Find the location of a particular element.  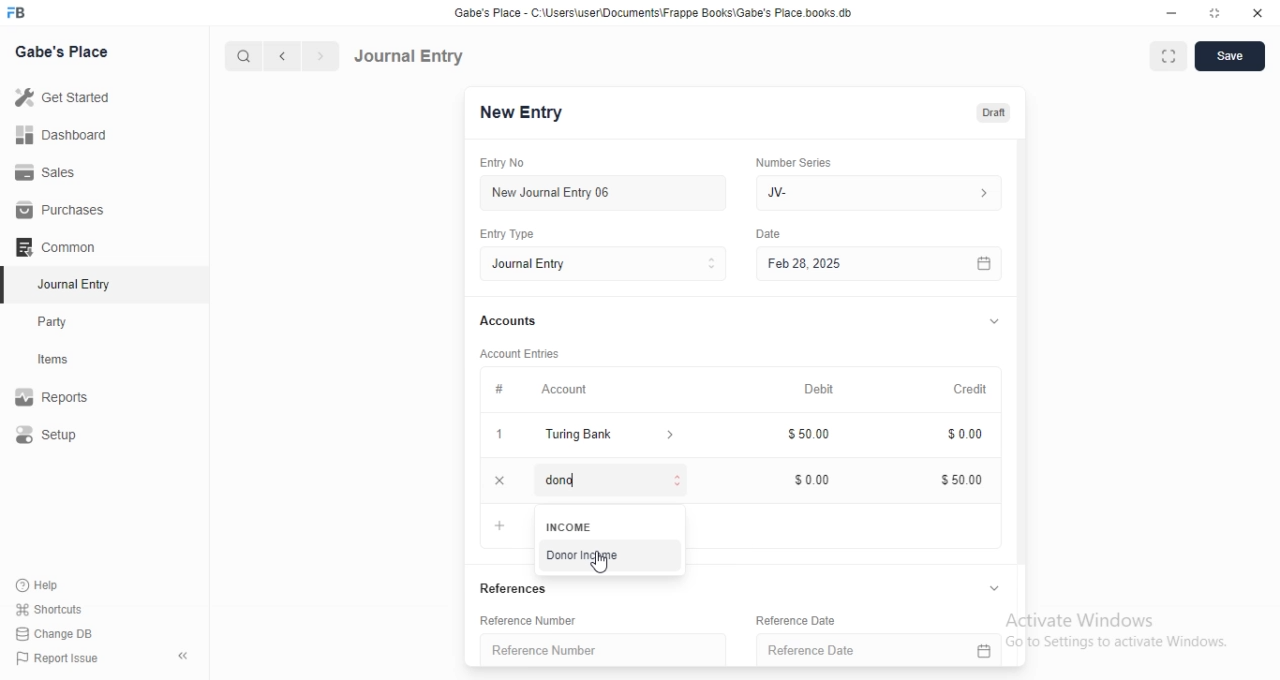

Add Row is located at coordinates (568, 480).